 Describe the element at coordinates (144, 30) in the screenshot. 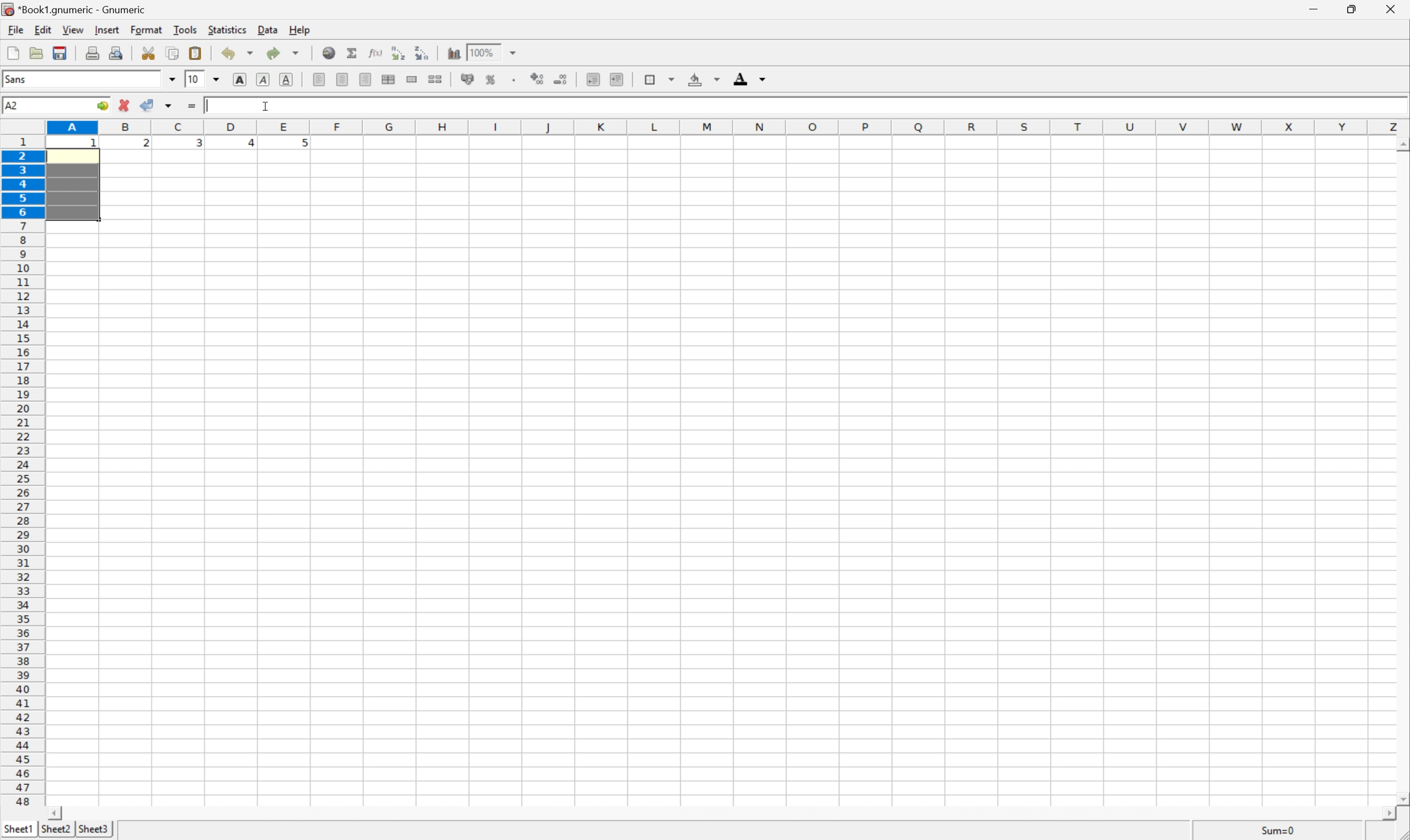

I see `format` at that location.